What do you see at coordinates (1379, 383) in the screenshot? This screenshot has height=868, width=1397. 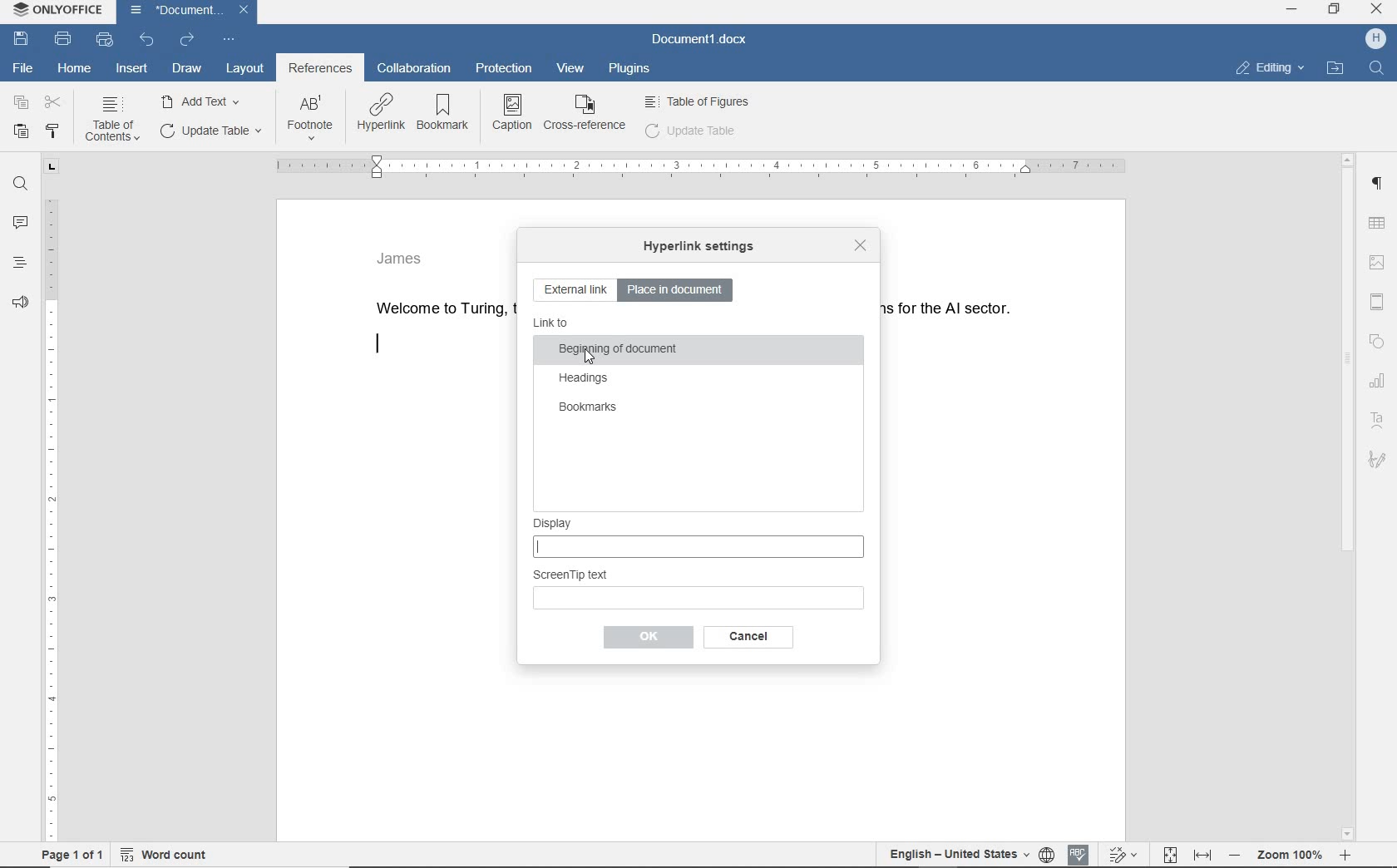 I see `chart` at bounding box center [1379, 383].